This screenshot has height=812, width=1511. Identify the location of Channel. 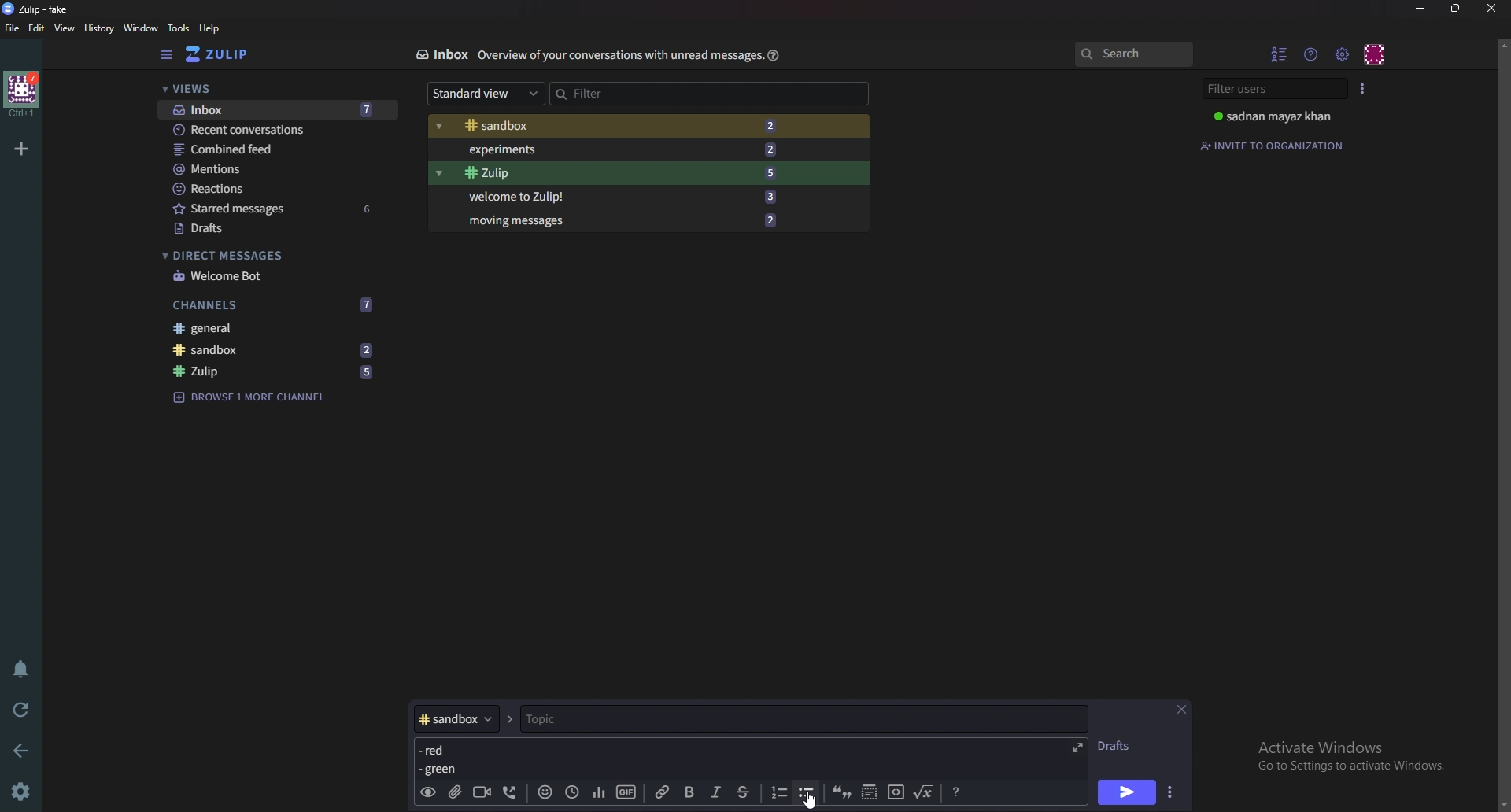
(456, 718).